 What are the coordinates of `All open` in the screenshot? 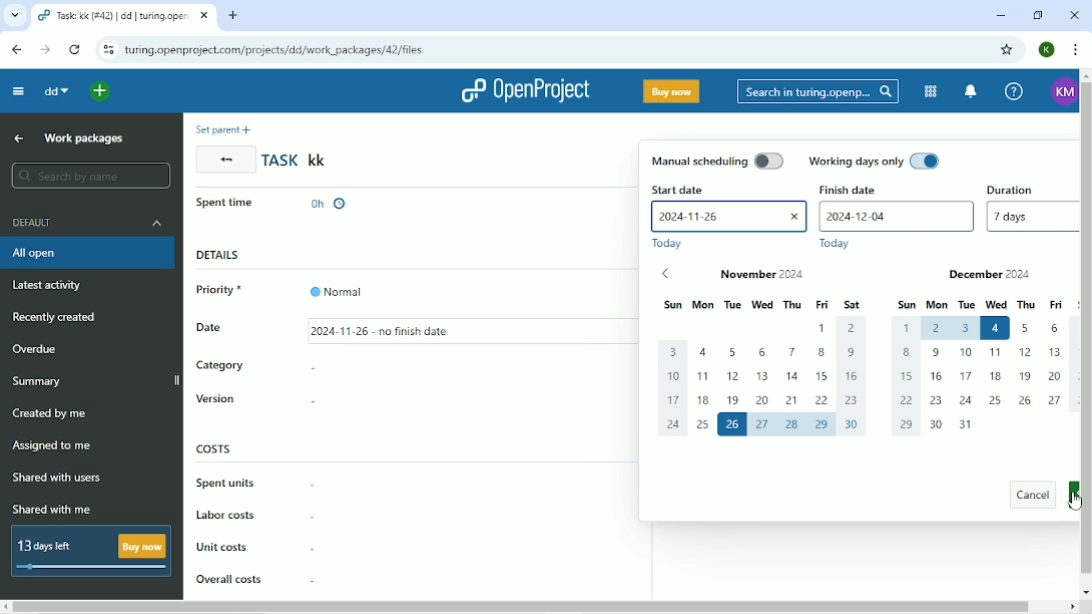 It's located at (87, 255).